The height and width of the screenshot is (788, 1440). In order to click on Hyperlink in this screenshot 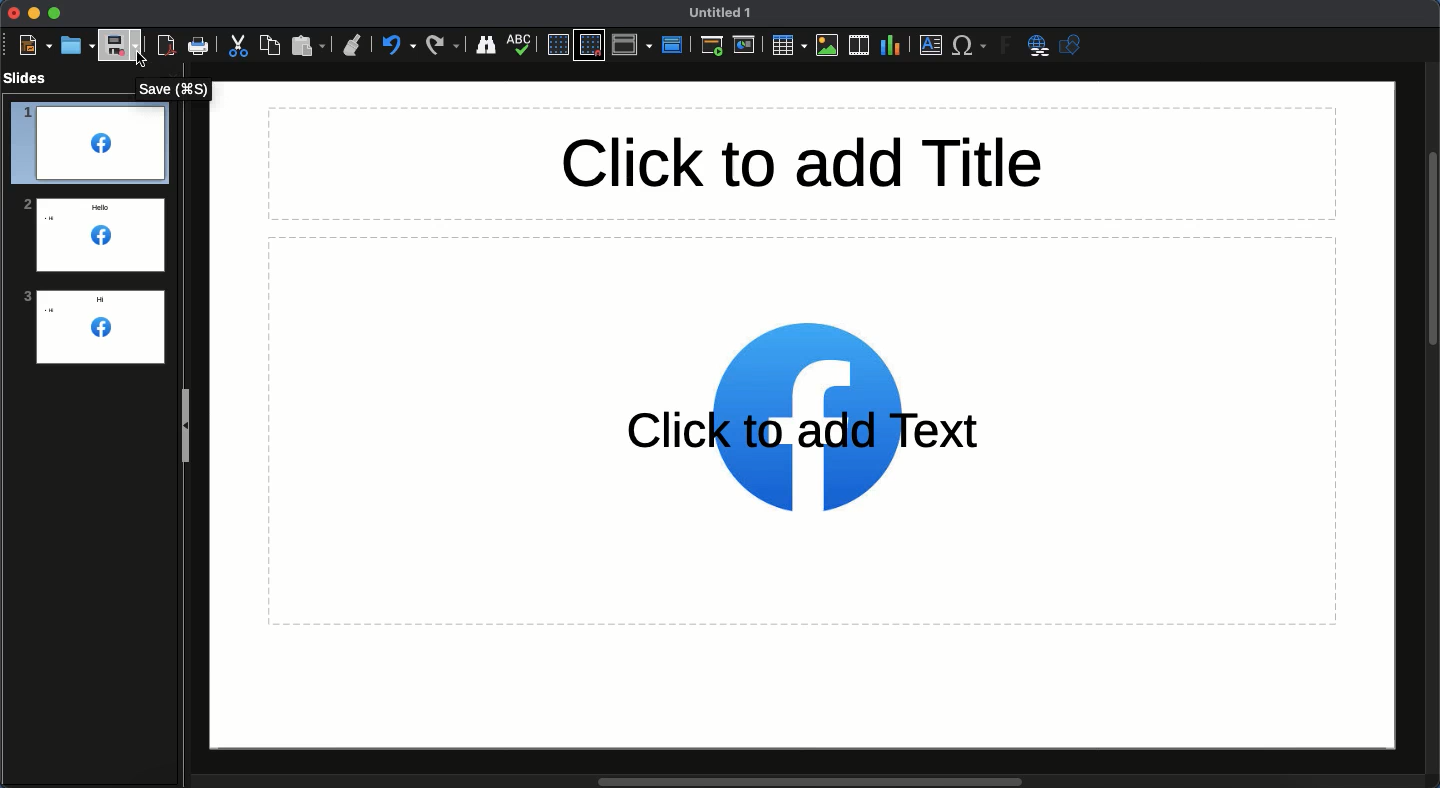, I will do `click(1038, 46)`.